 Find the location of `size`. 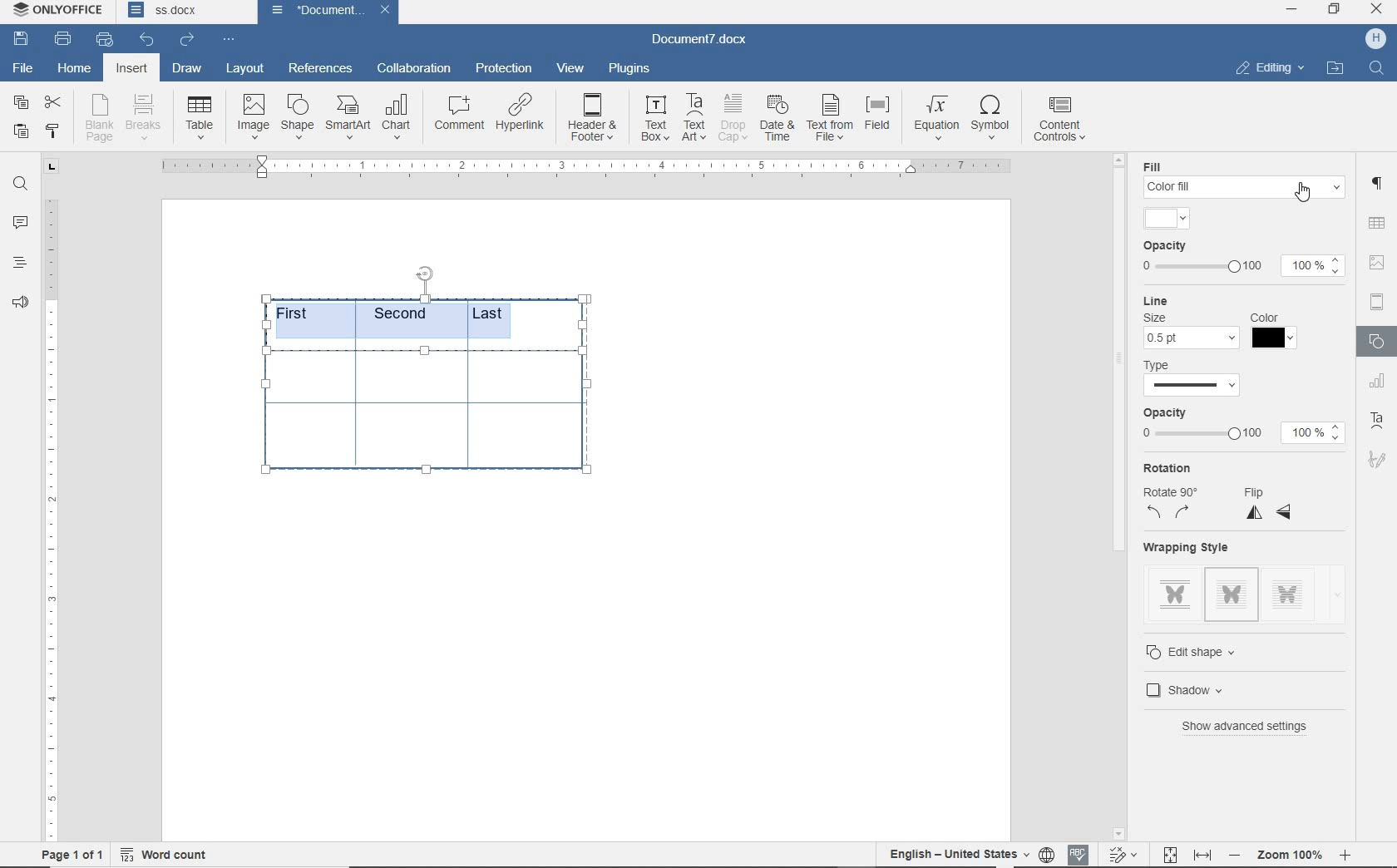

size is located at coordinates (1159, 318).